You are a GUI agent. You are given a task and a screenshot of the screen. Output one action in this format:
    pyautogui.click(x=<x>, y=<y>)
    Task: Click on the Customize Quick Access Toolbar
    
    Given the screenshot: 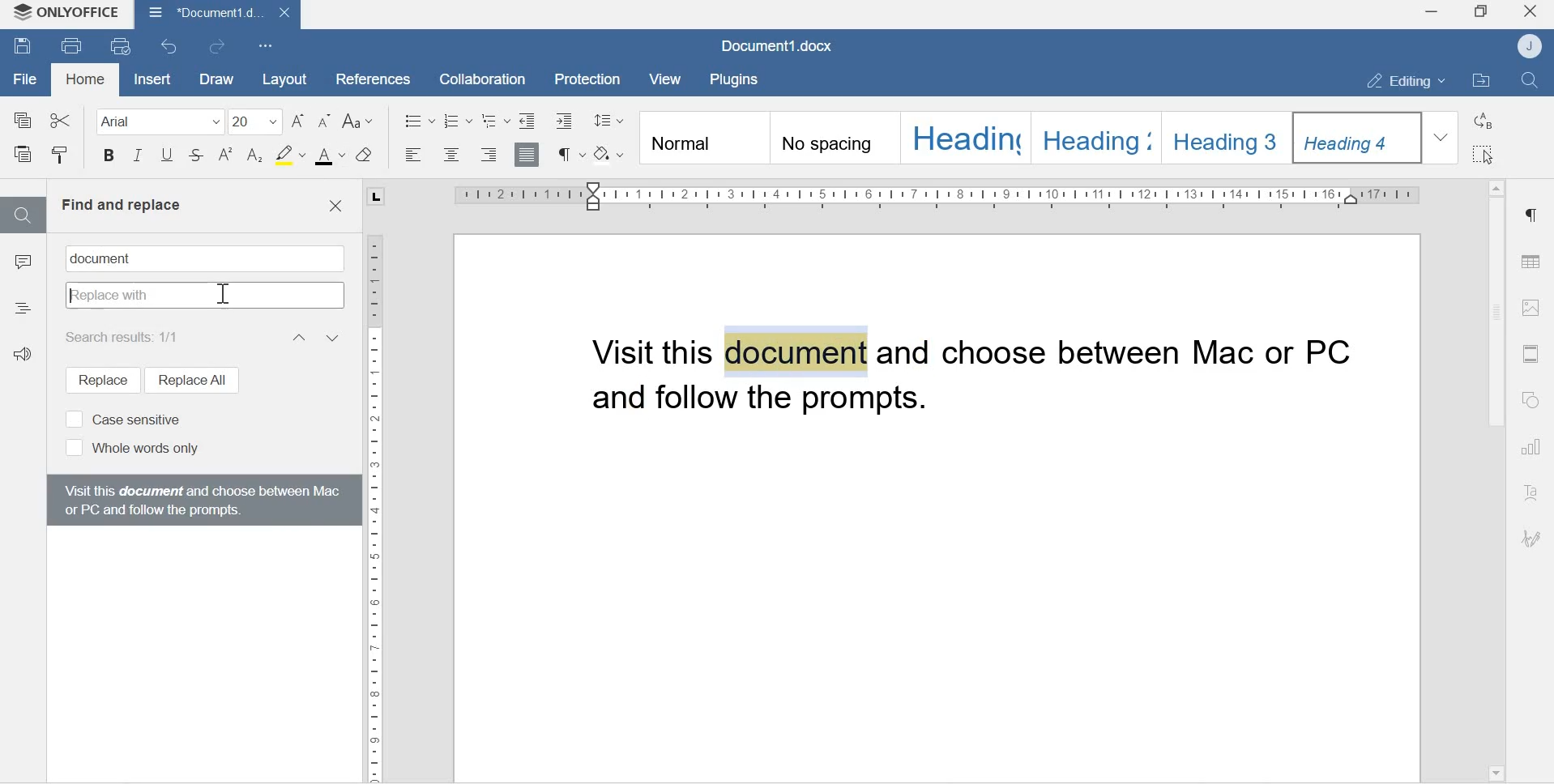 What is the action you would take?
    pyautogui.click(x=267, y=45)
    